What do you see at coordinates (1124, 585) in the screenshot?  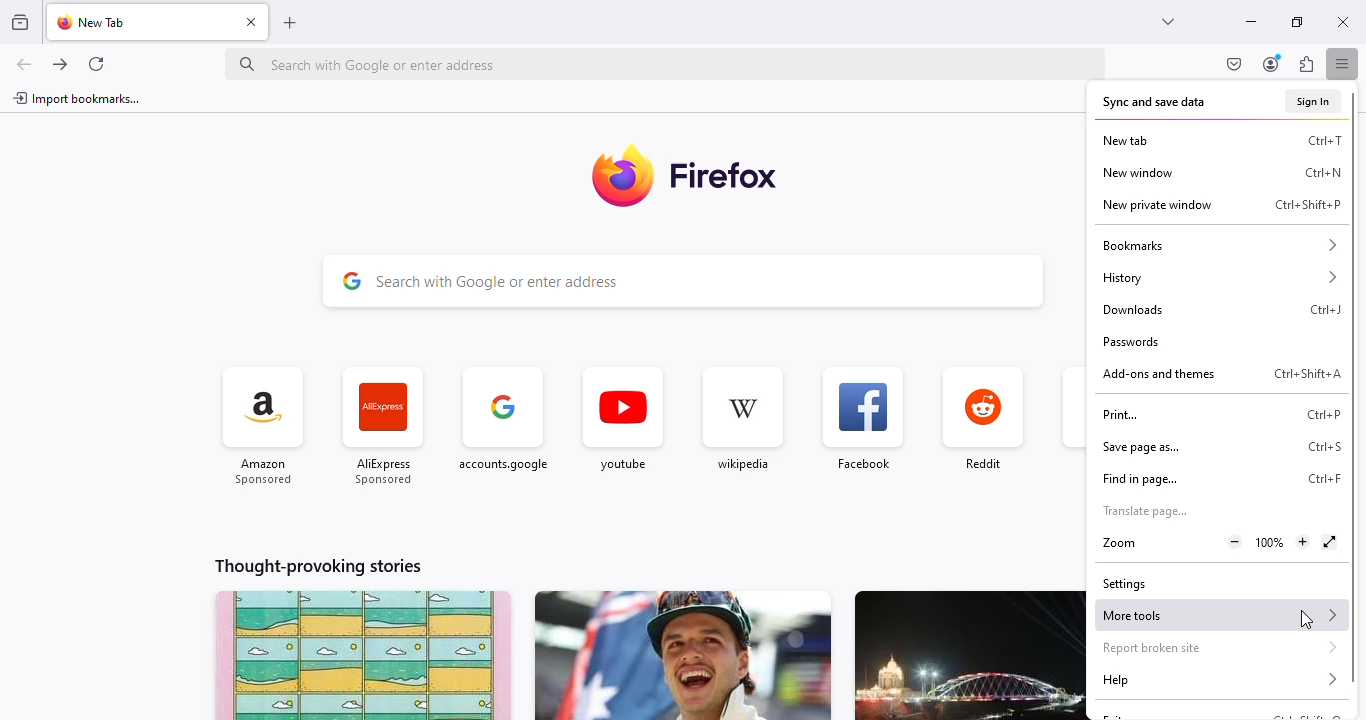 I see `settings` at bounding box center [1124, 585].